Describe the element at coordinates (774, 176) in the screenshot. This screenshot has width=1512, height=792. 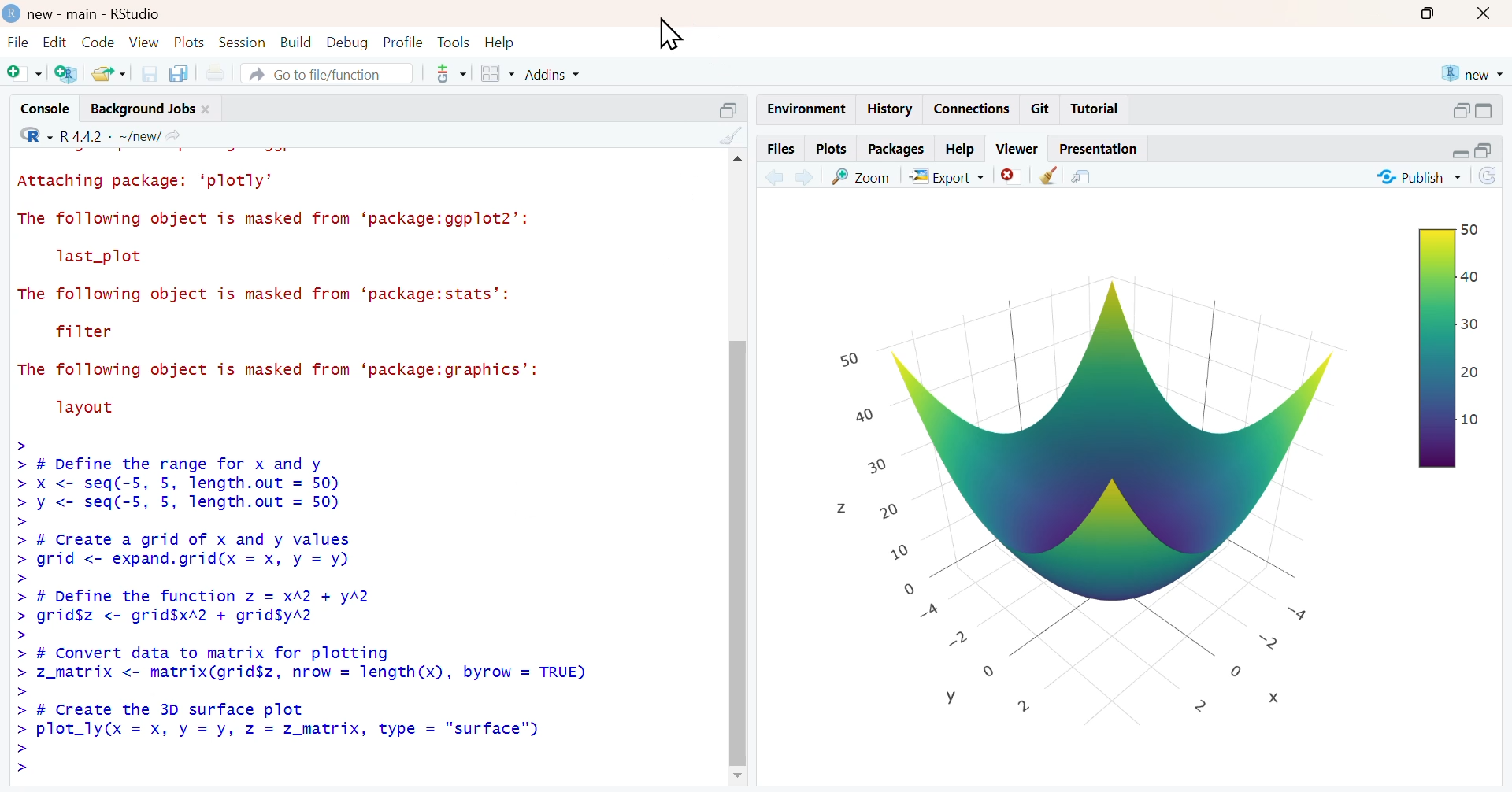
I see `previous plot` at that location.